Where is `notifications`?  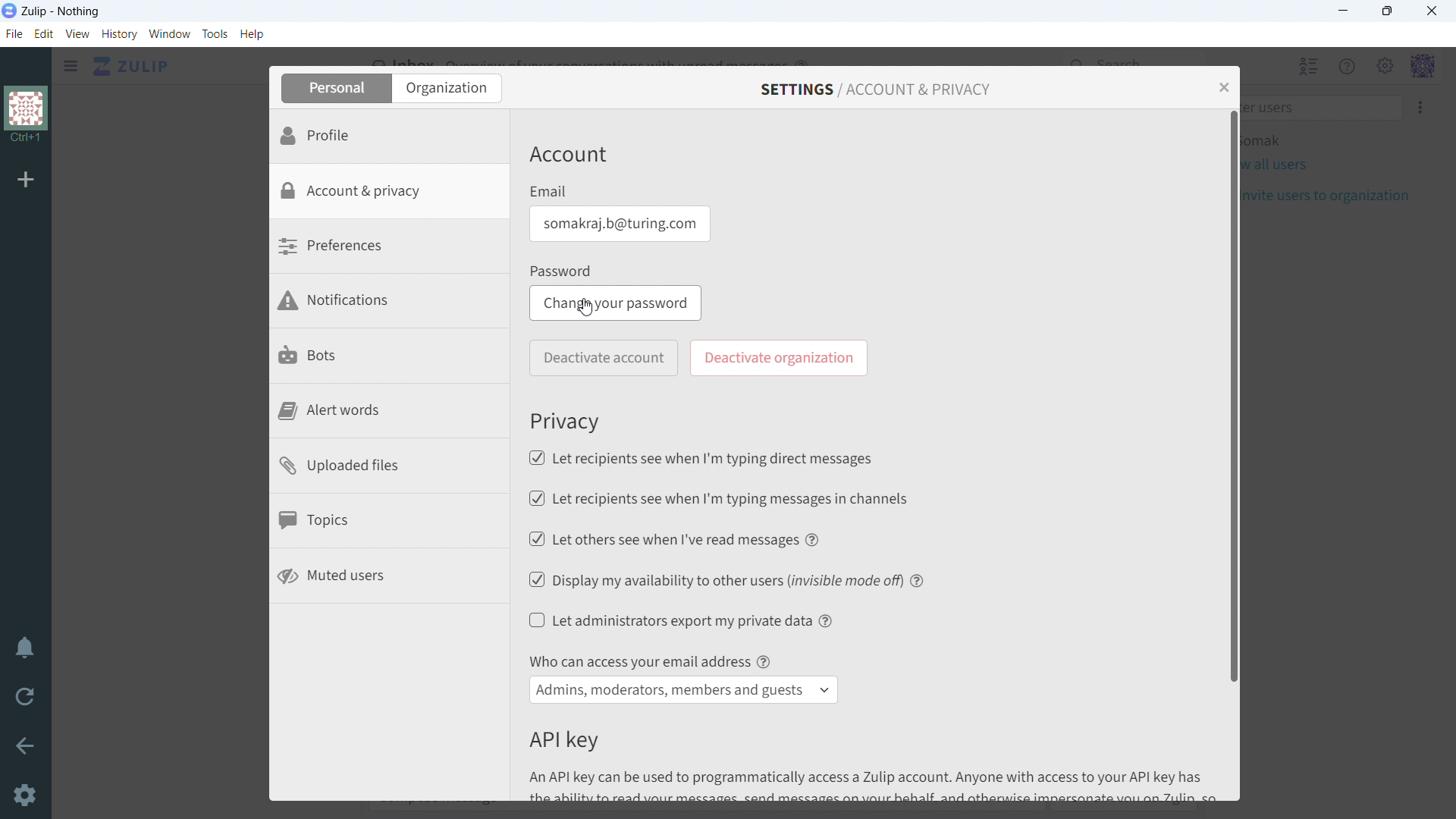 notifications is located at coordinates (391, 303).